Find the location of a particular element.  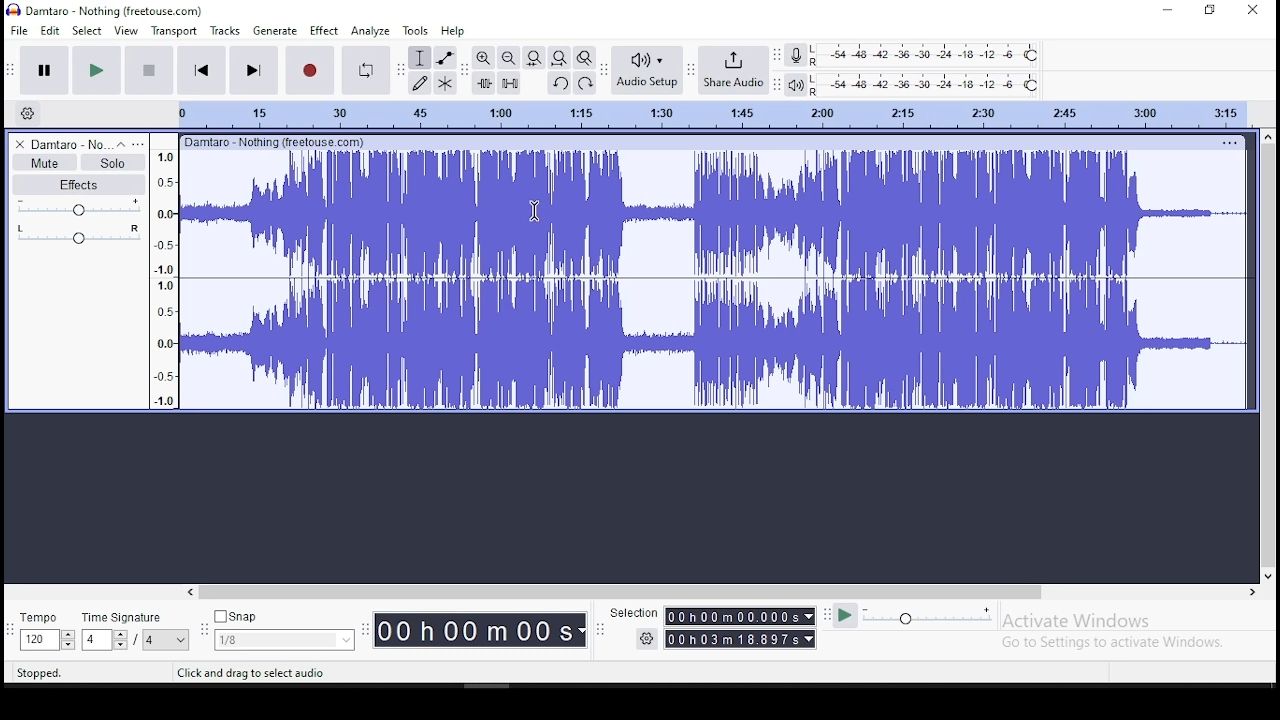

fit project to width is located at coordinates (558, 57).